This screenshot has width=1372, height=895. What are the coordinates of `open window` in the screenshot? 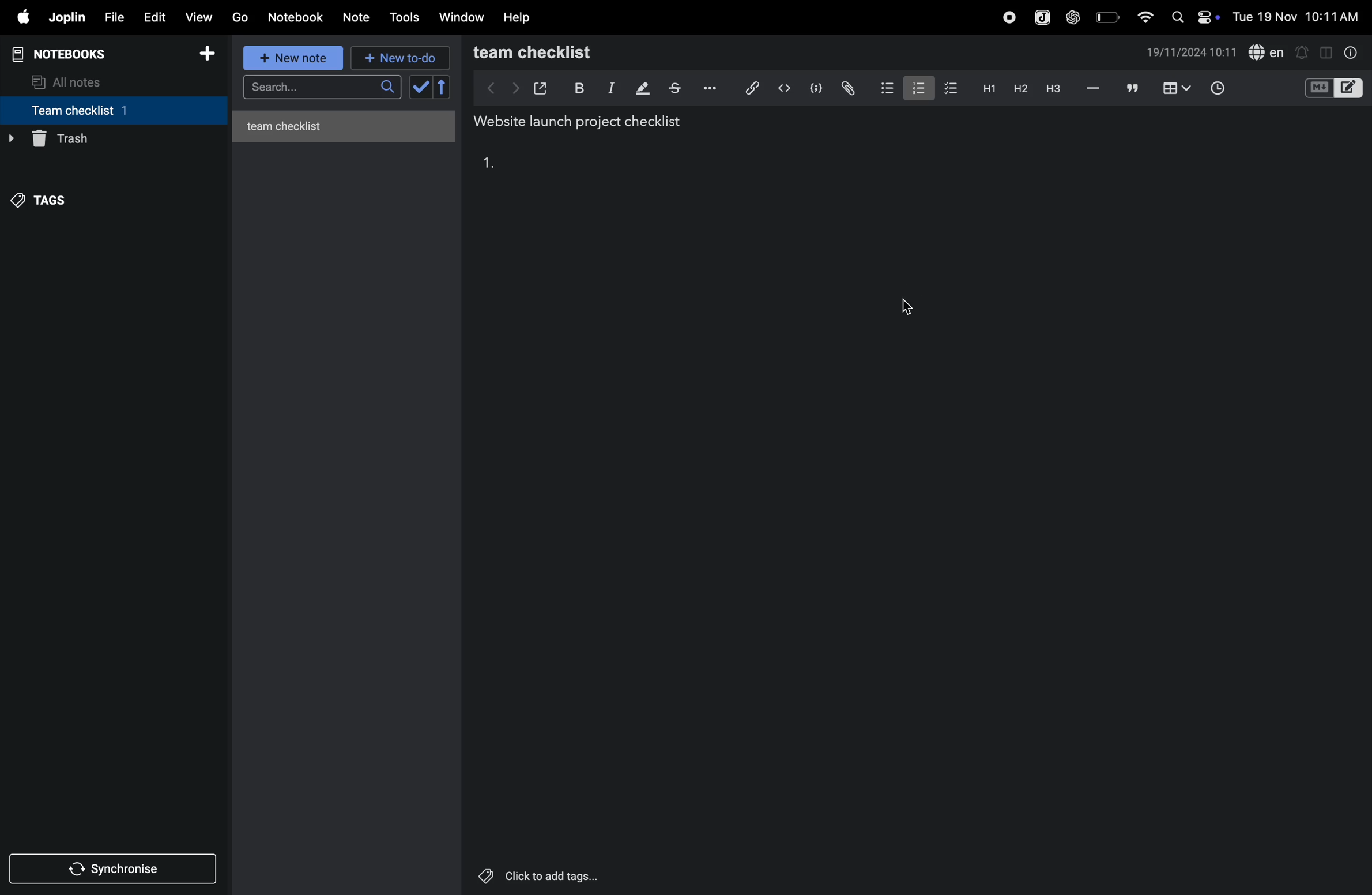 It's located at (541, 86).